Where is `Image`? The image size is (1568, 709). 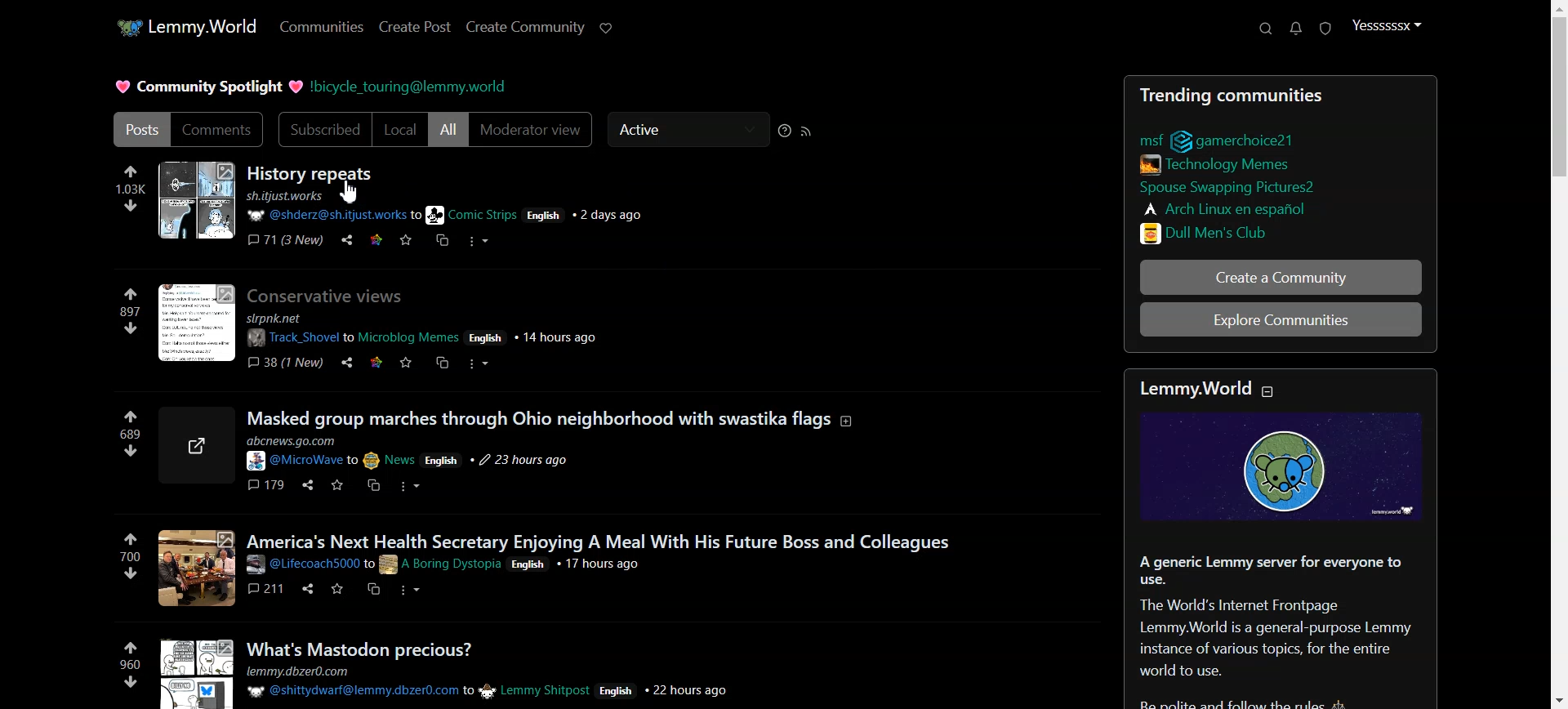 Image is located at coordinates (196, 567).